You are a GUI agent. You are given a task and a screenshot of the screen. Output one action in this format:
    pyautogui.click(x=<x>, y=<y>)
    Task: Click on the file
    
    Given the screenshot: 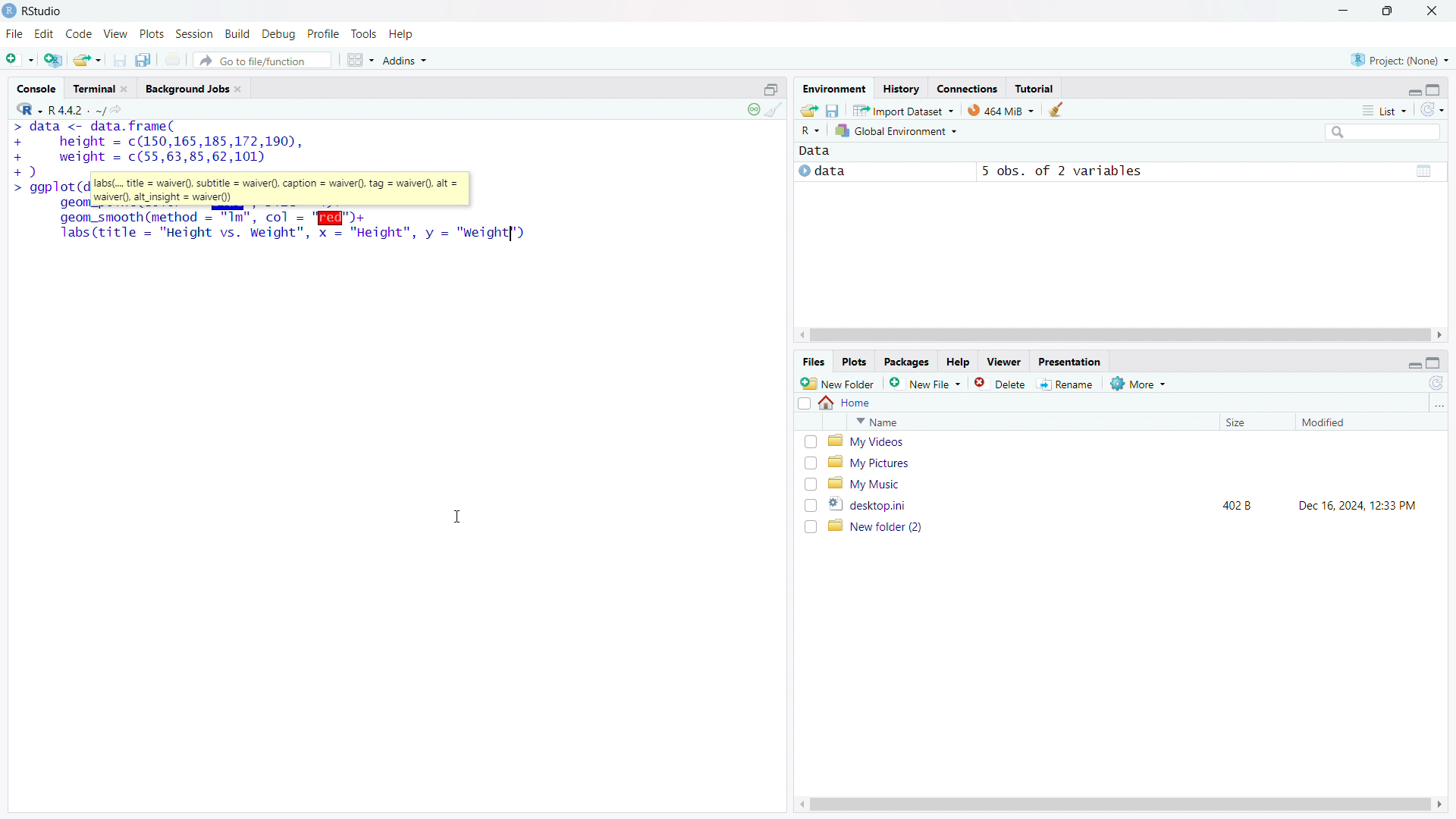 What is the action you would take?
    pyautogui.click(x=14, y=34)
    